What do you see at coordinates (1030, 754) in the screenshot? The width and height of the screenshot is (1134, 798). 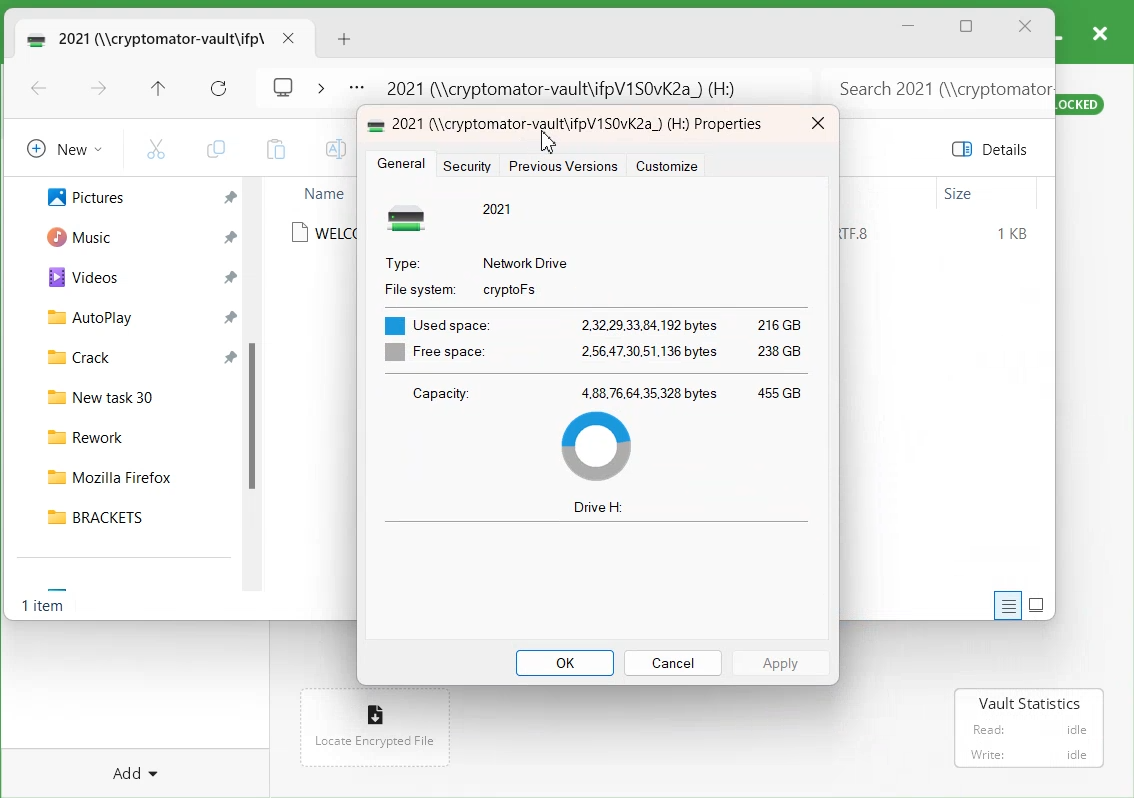 I see `Write: idle` at bounding box center [1030, 754].